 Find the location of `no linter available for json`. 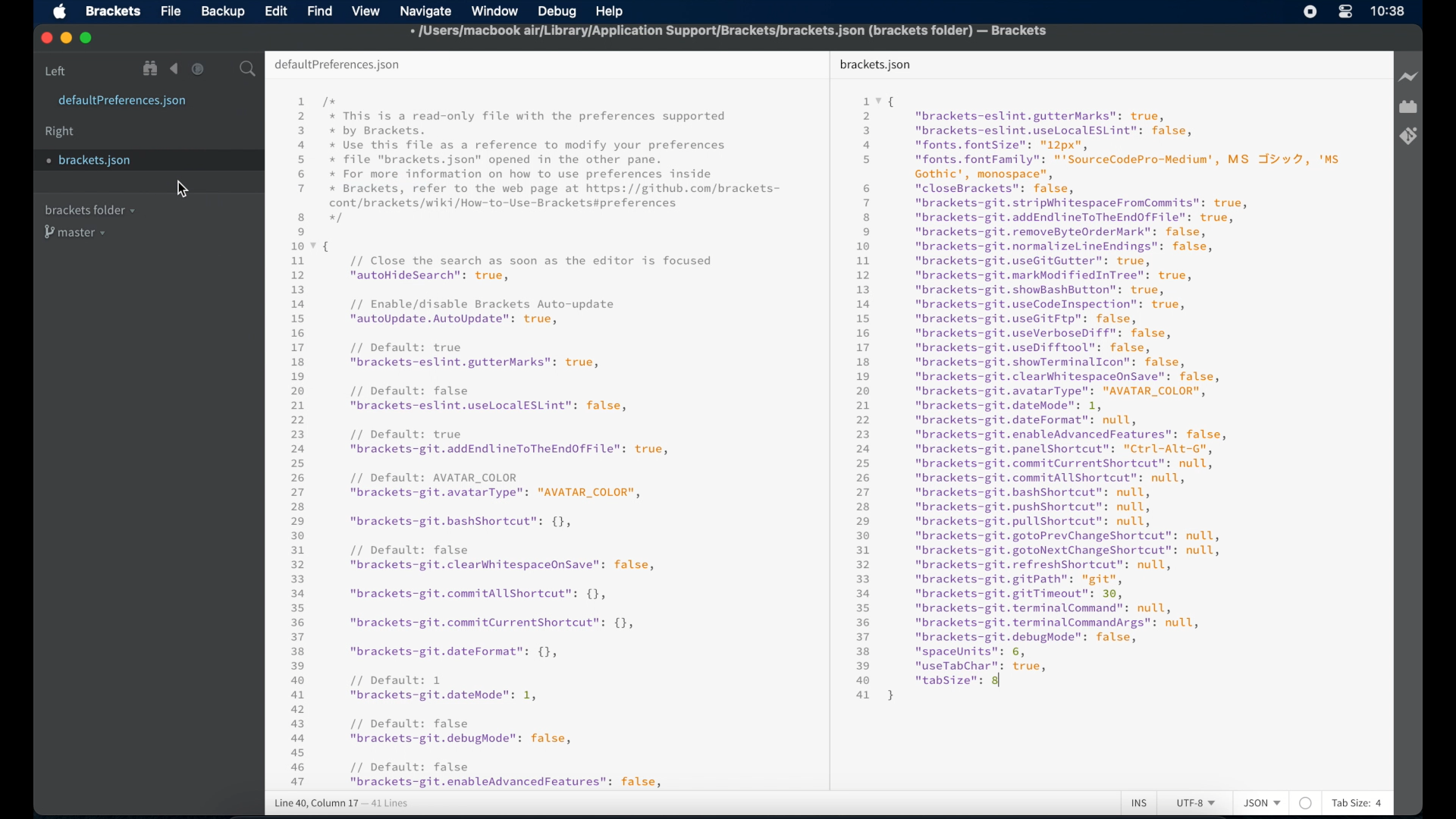

no linter available for json is located at coordinates (1306, 804).